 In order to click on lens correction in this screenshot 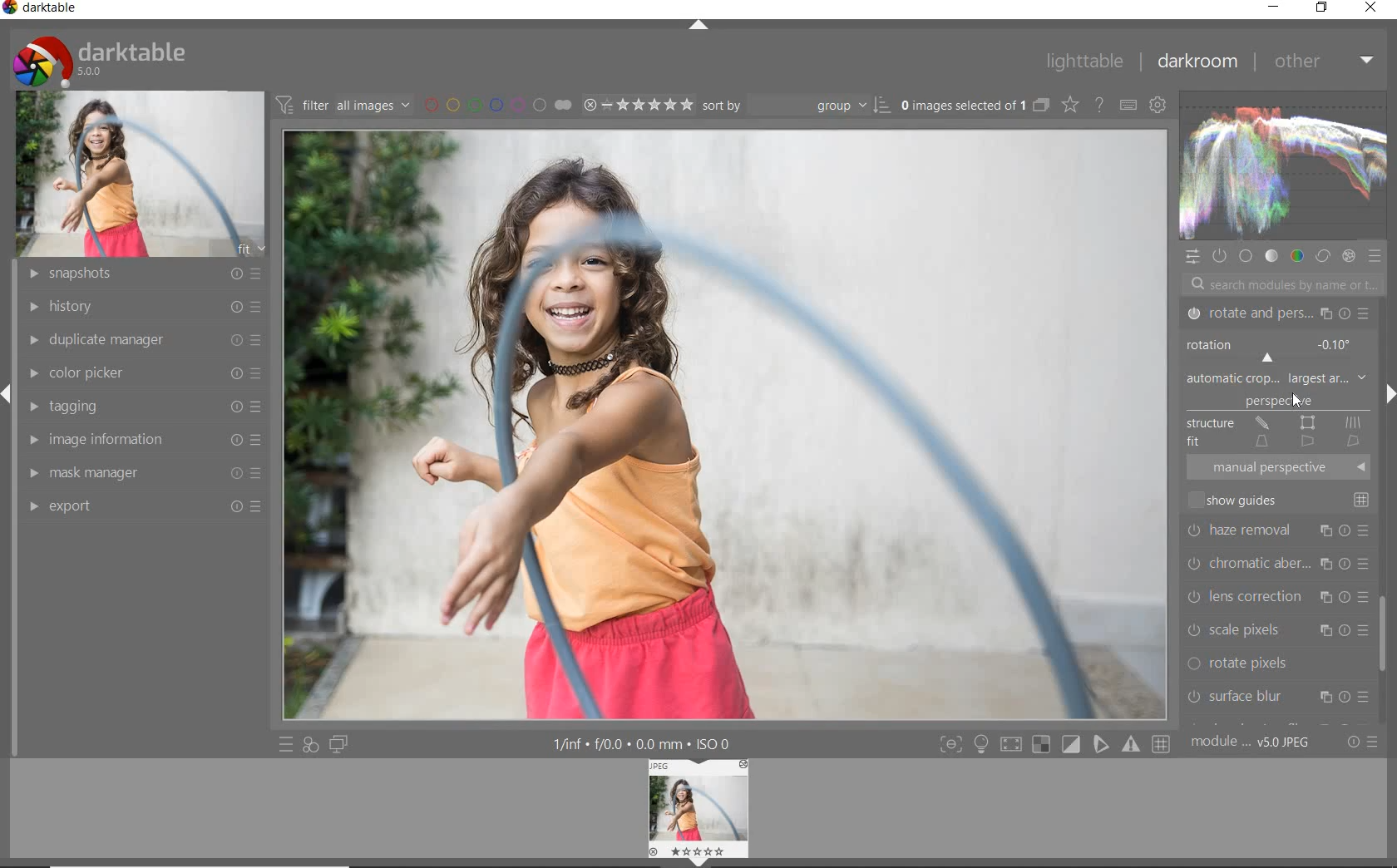, I will do `click(1277, 594)`.